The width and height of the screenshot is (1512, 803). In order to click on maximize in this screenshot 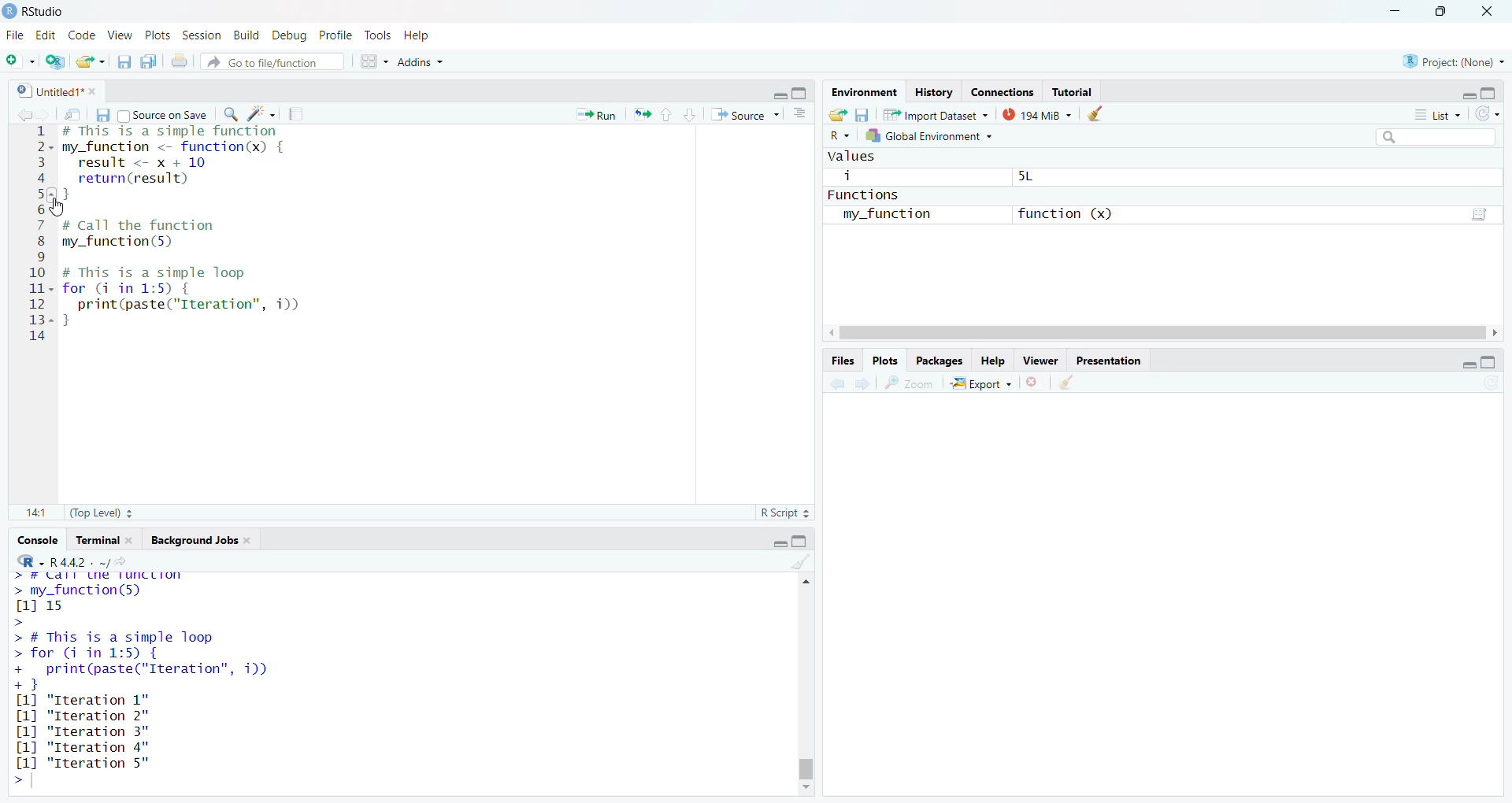, I will do `click(803, 542)`.